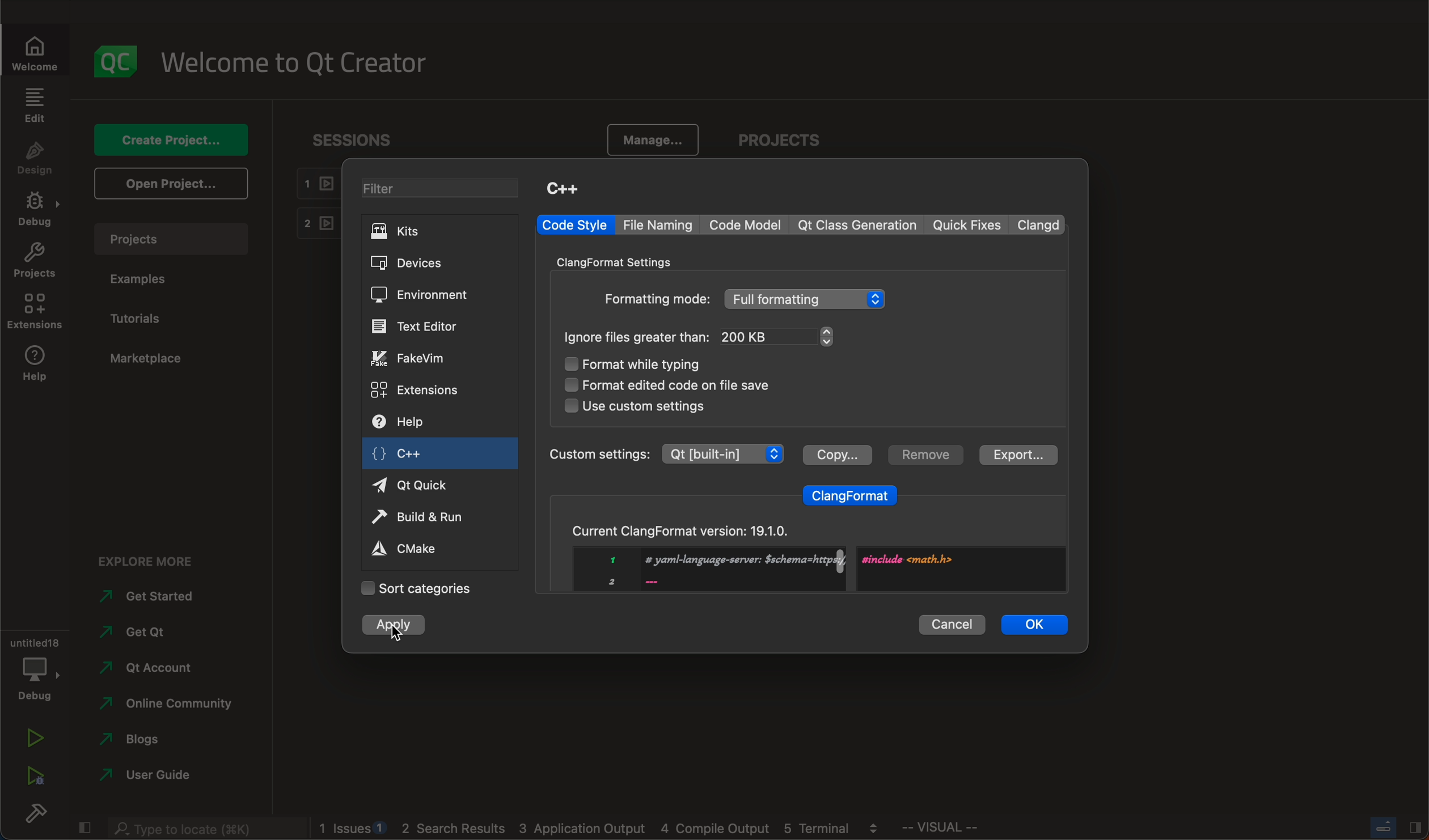  What do you see at coordinates (83, 825) in the screenshot?
I see `close slide bar` at bounding box center [83, 825].